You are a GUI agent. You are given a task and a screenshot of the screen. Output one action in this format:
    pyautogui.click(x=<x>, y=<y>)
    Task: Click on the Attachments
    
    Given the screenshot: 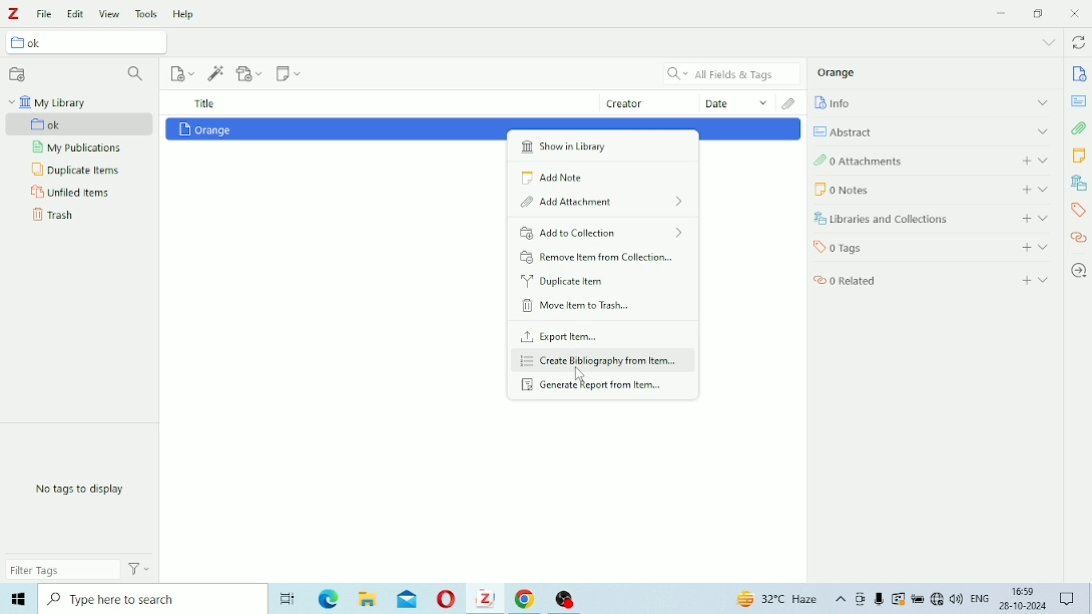 What is the action you would take?
    pyautogui.click(x=1079, y=128)
    